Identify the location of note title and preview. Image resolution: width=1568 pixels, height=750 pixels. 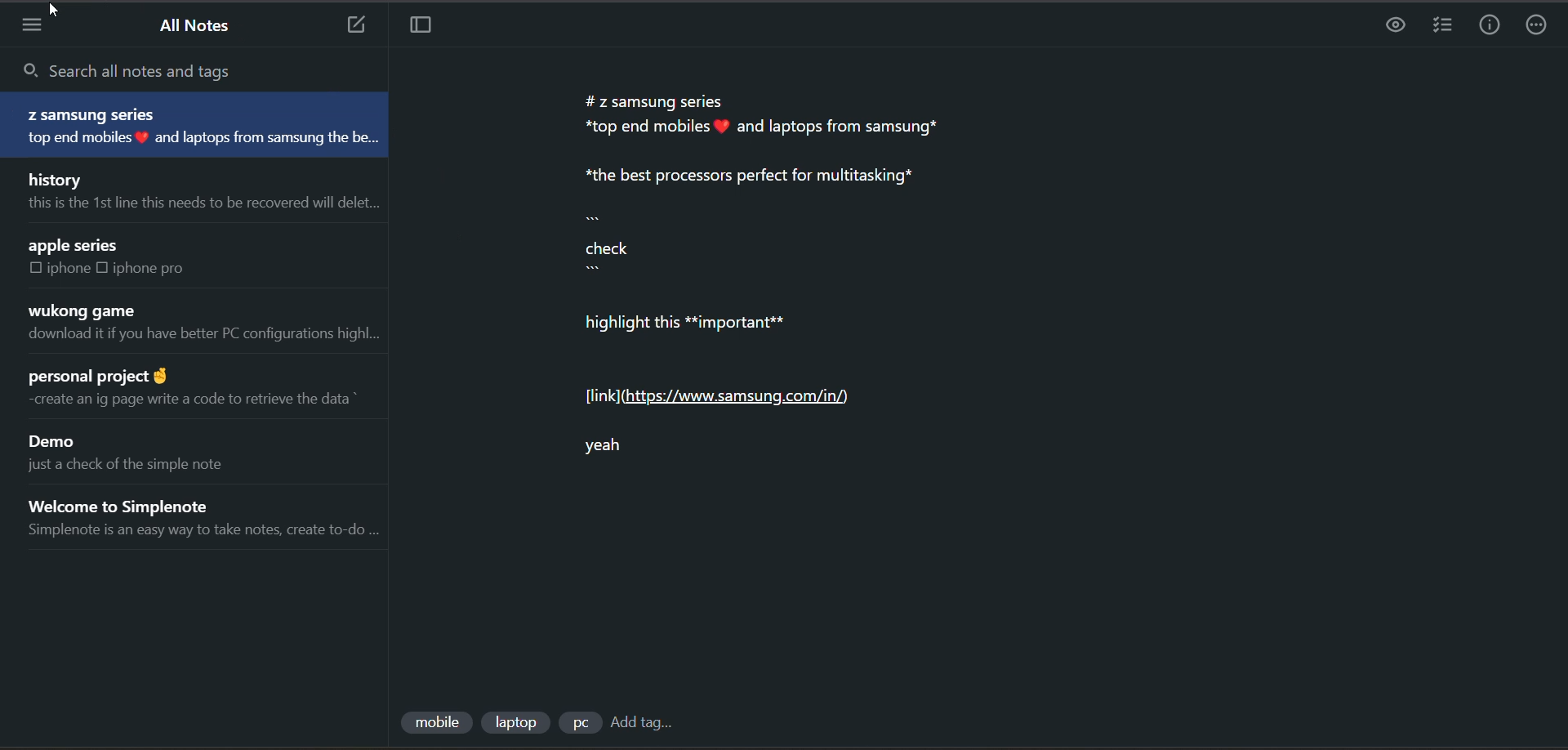
(216, 325).